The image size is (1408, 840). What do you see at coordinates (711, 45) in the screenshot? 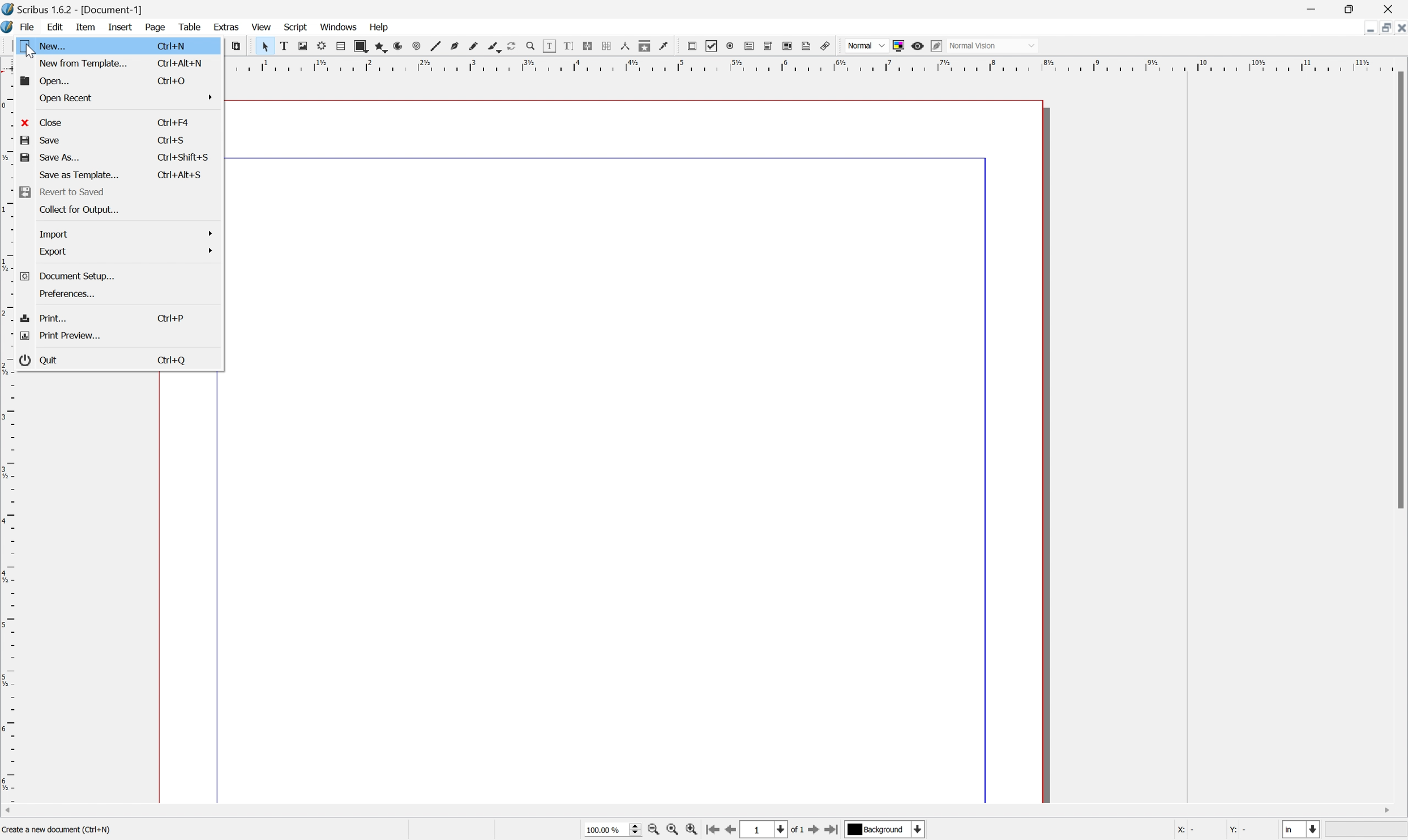
I see `PDF checkbox` at bounding box center [711, 45].